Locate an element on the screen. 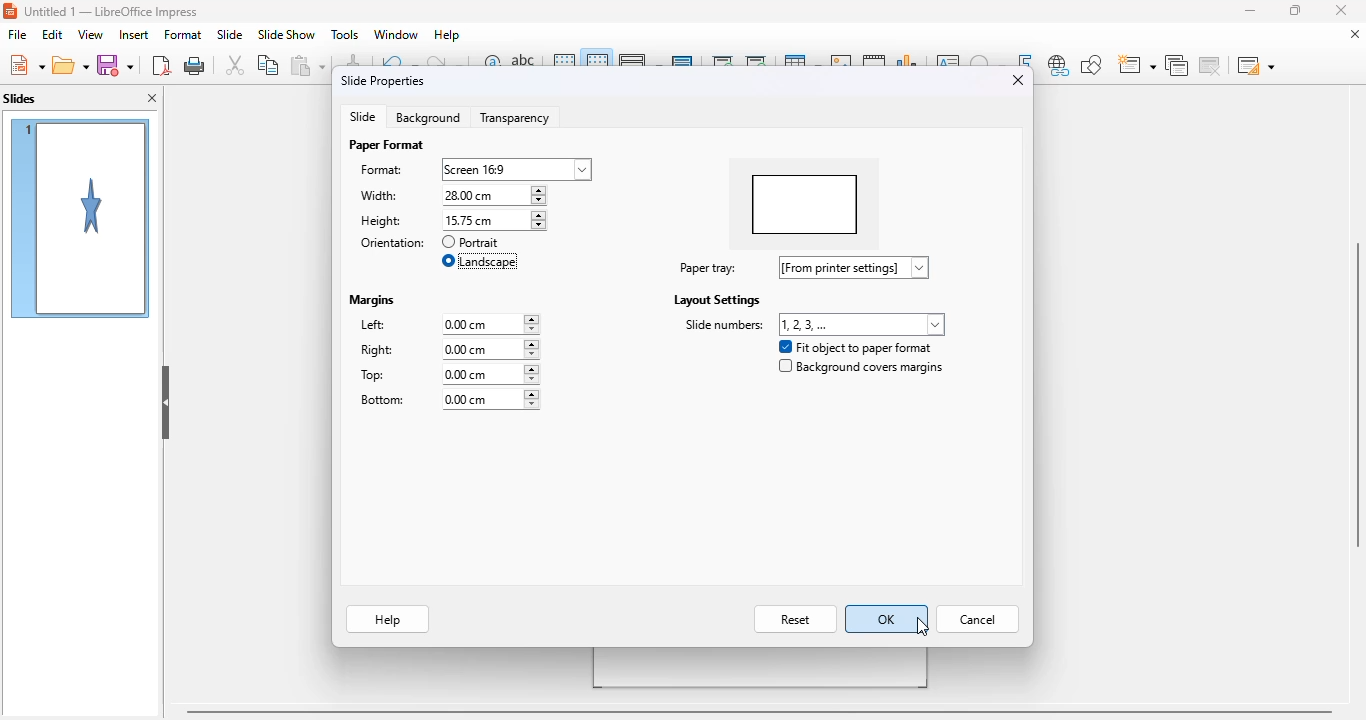 Image resolution: width=1366 pixels, height=720 pixels. side numbers is located at coordinates (720, 329).